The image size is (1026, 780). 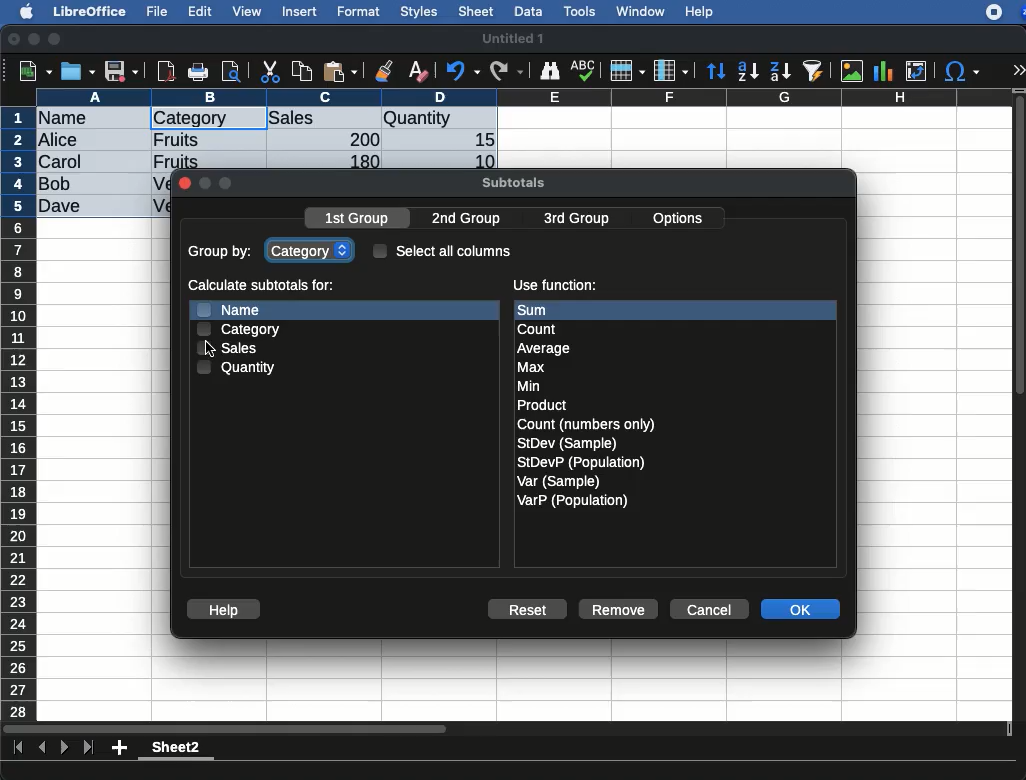 What do you see at coordinates (122, 73) in the screenshot?
I see `save` at bounding box center [122, 73].